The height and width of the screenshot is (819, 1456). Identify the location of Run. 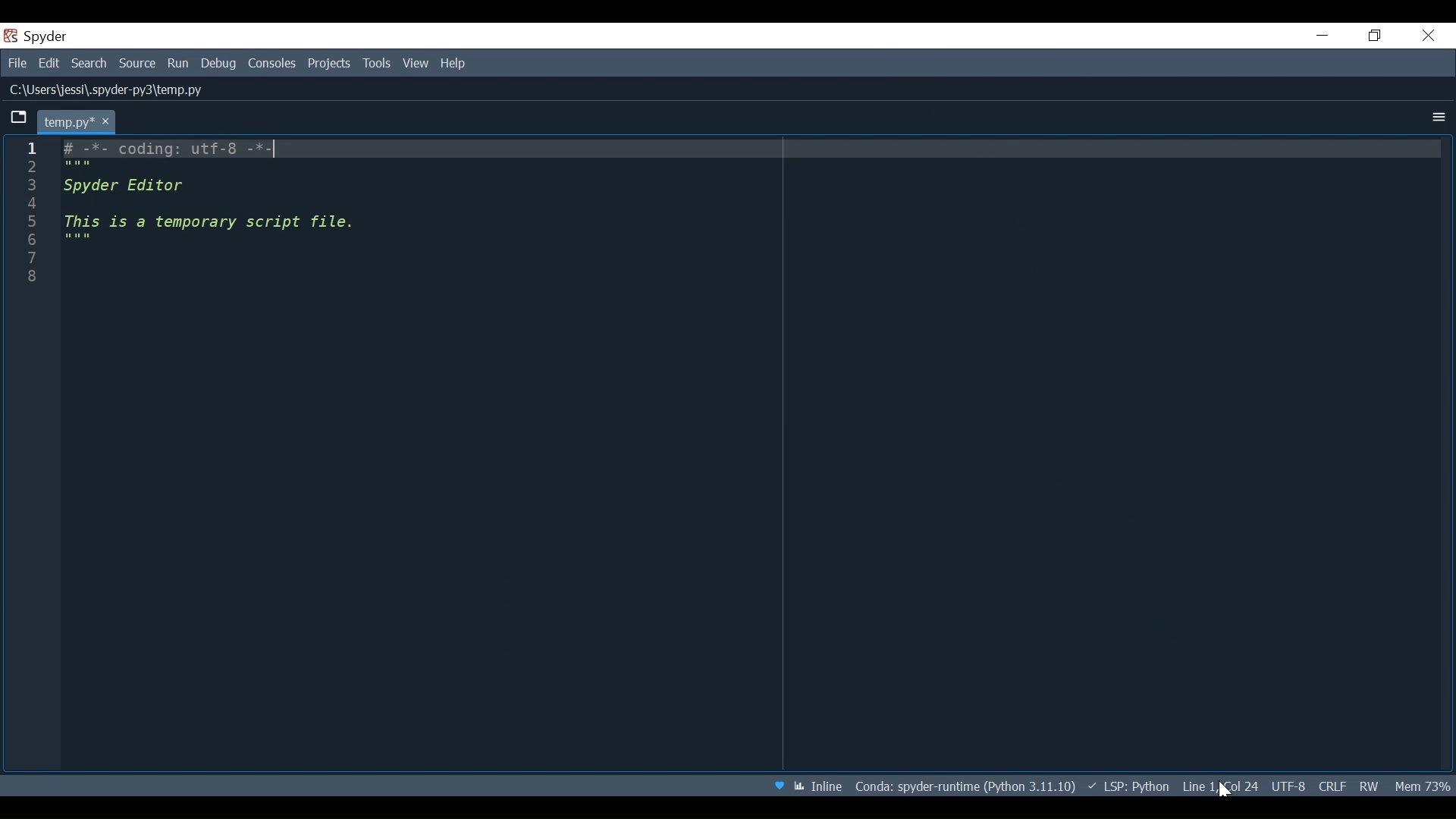
(179, 63).